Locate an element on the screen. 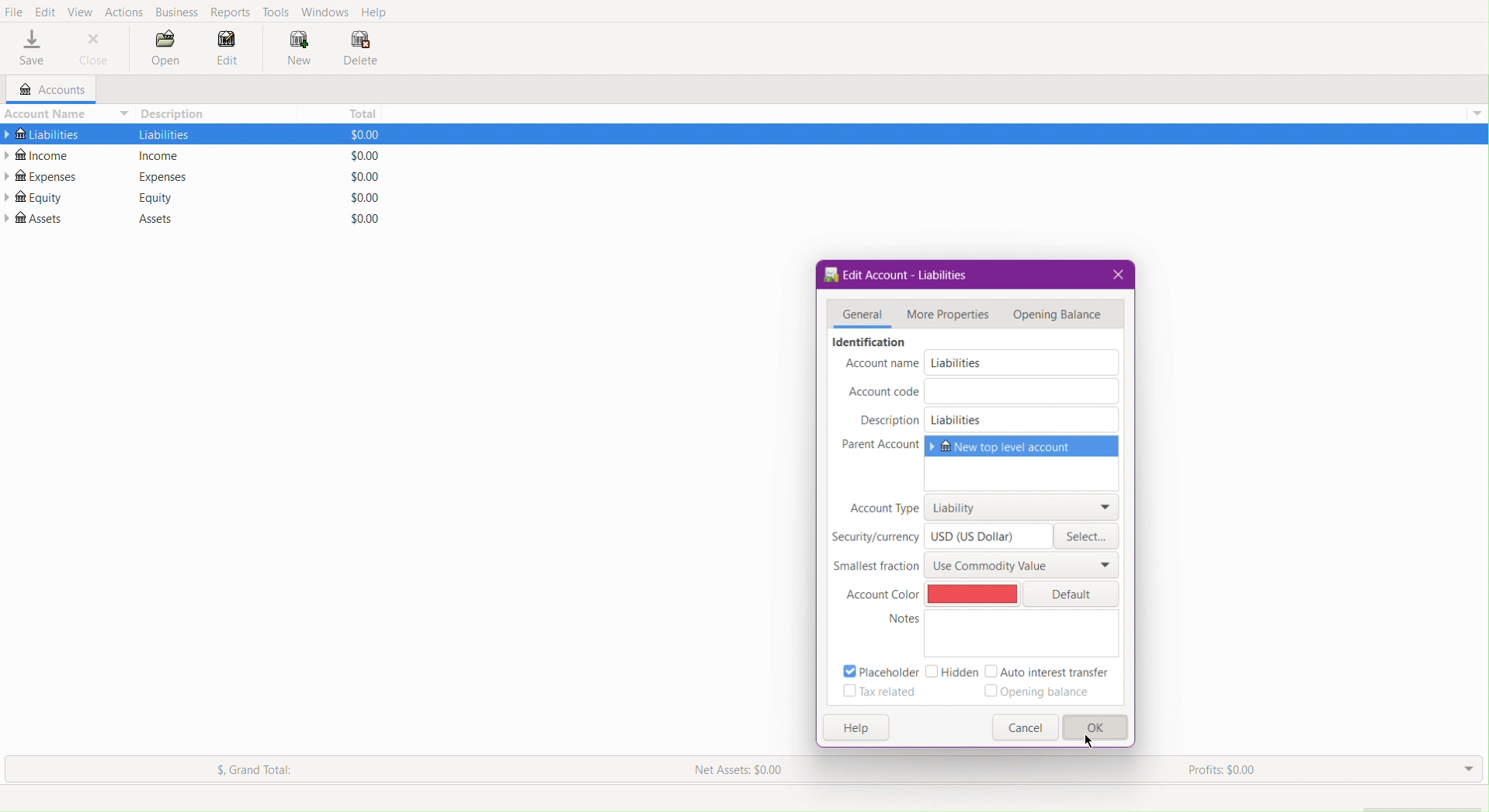 The height and width of the screenshot is (812, 1489). USD is located at coordinates (988, 538).